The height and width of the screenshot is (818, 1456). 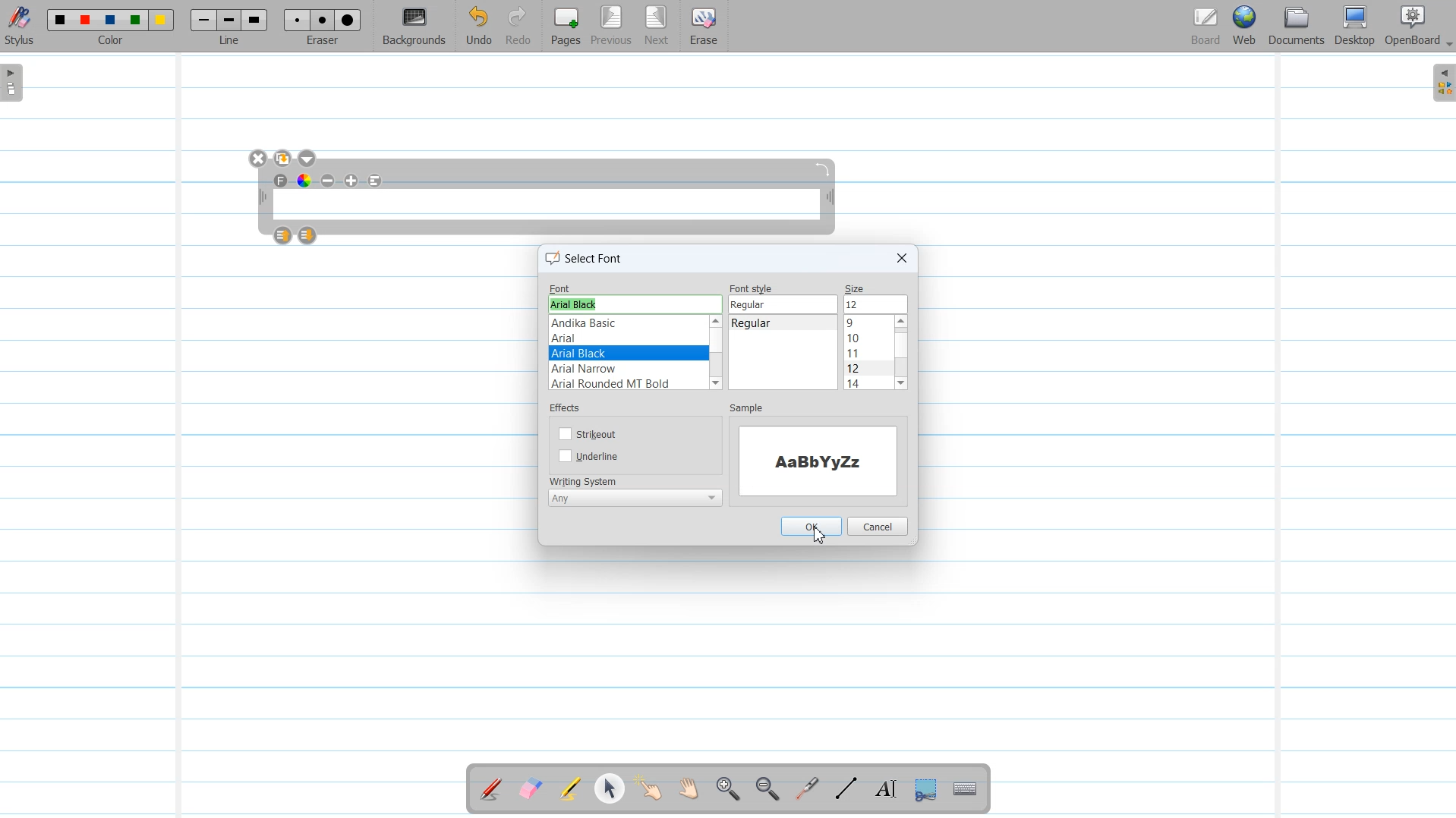 I want to click on Scroll Page, so click(x=689, y=790).